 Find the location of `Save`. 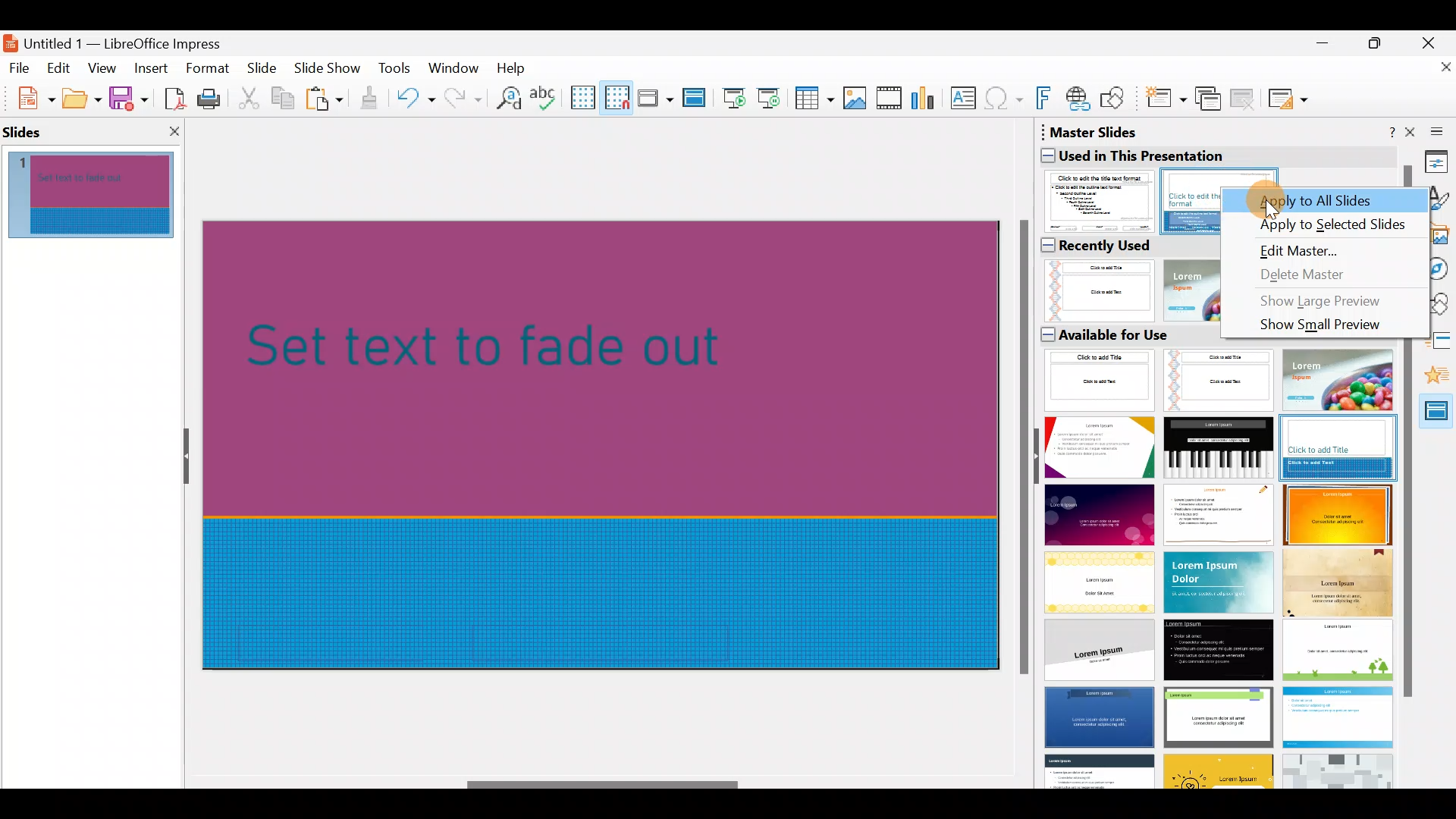

Save is located at coordinates (128, 97).